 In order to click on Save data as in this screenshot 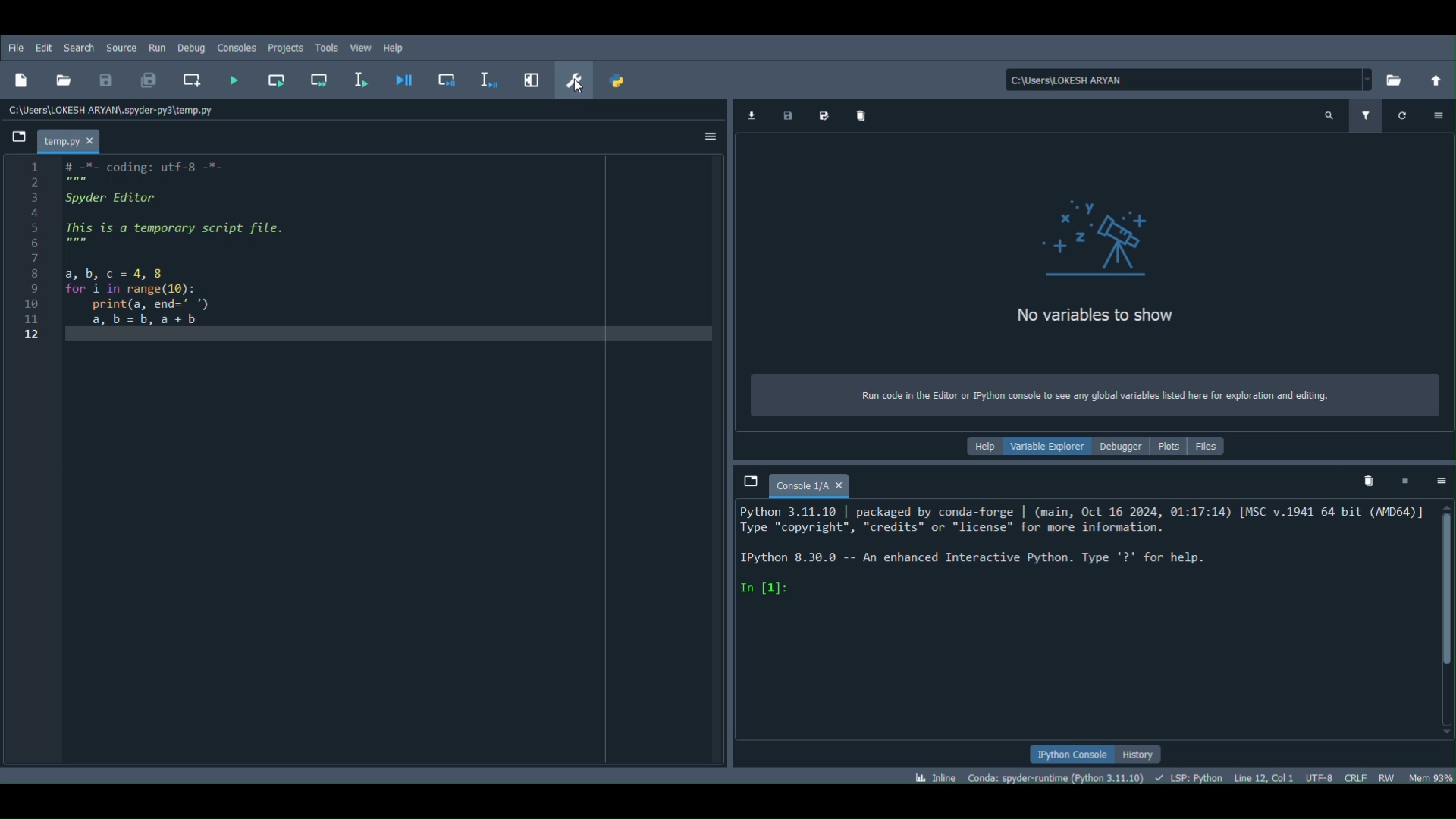, I will do `click(824, 114)`.